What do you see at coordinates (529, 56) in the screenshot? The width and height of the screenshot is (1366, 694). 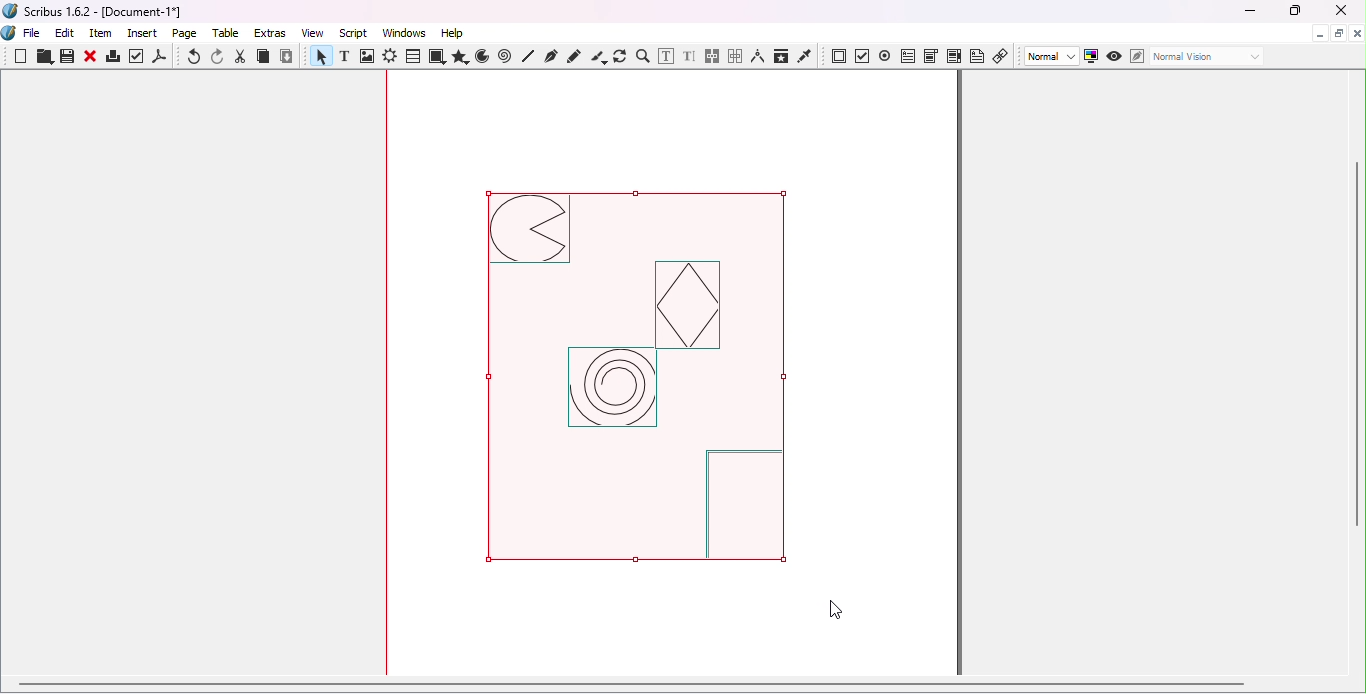 I see `Line` at bounding box center [529, 56].